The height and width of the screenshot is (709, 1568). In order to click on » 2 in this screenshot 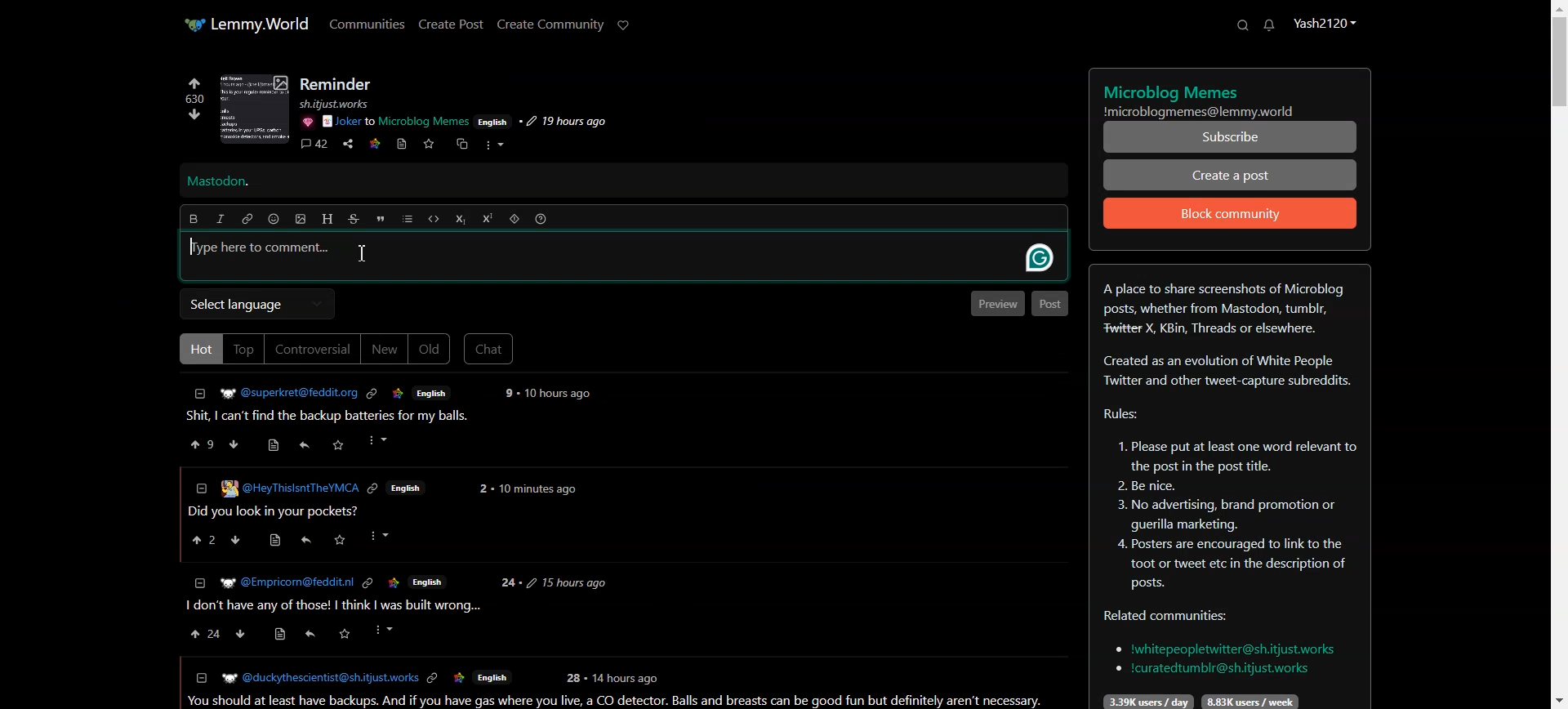, I will do `click(200, 542)`.